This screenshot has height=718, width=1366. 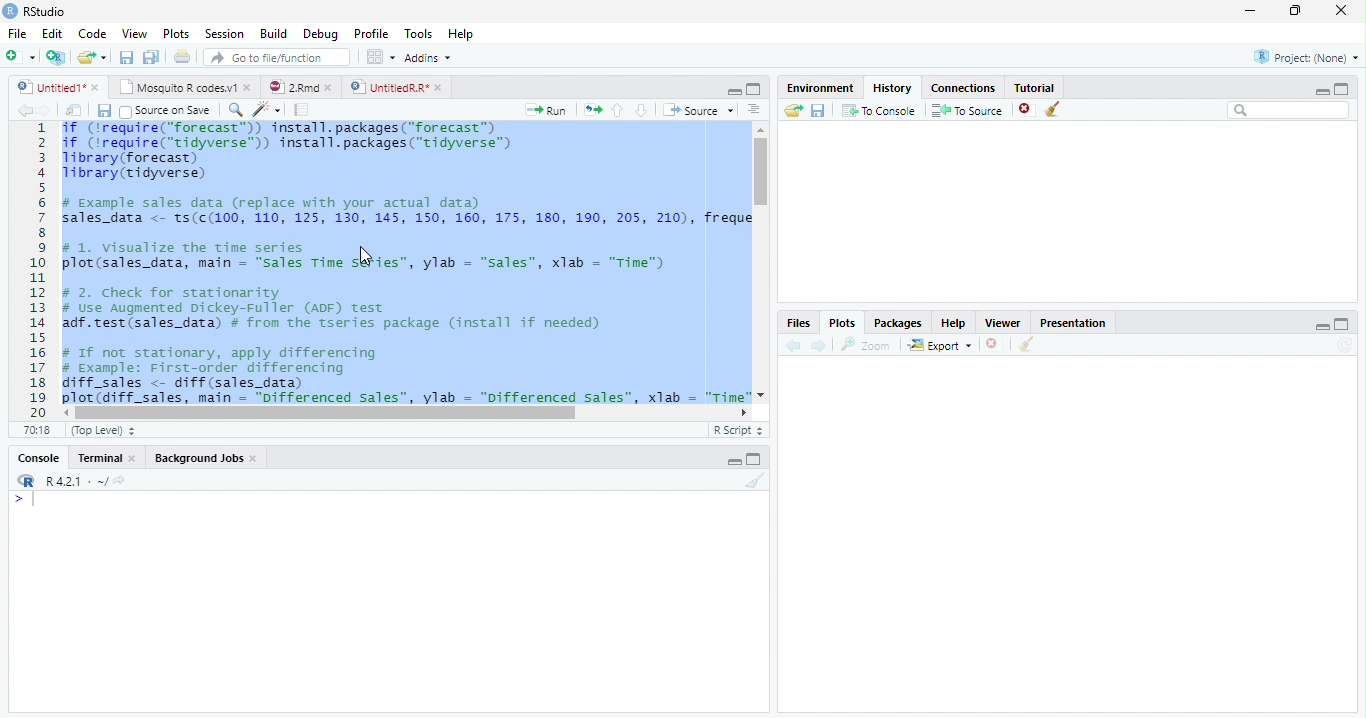 What do you see at coordinates (967, 109) in the screenshot?
I see `To Source` at bounding box center [967, 109].